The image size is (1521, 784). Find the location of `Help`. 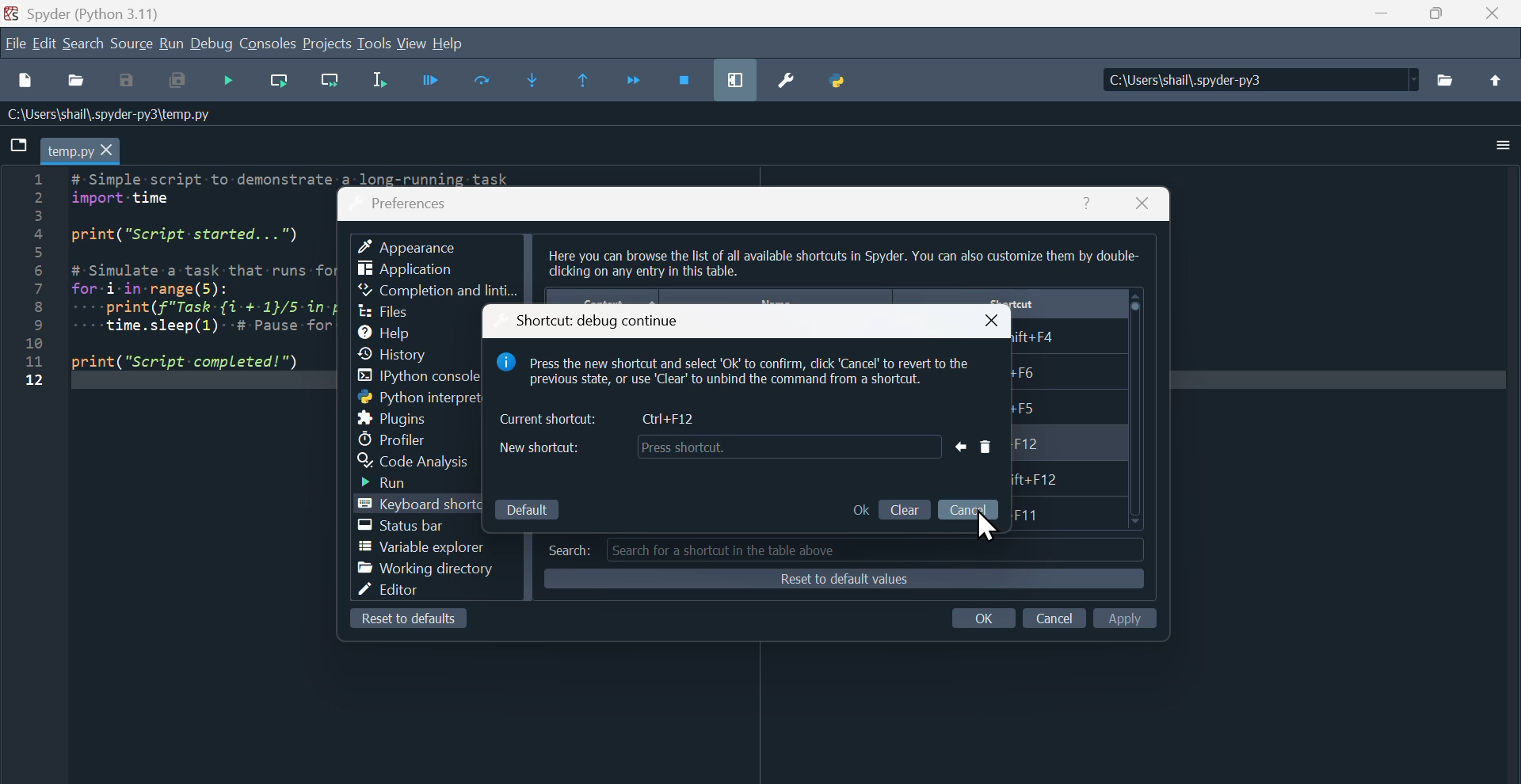

Help is located at coordinates (397, 330).